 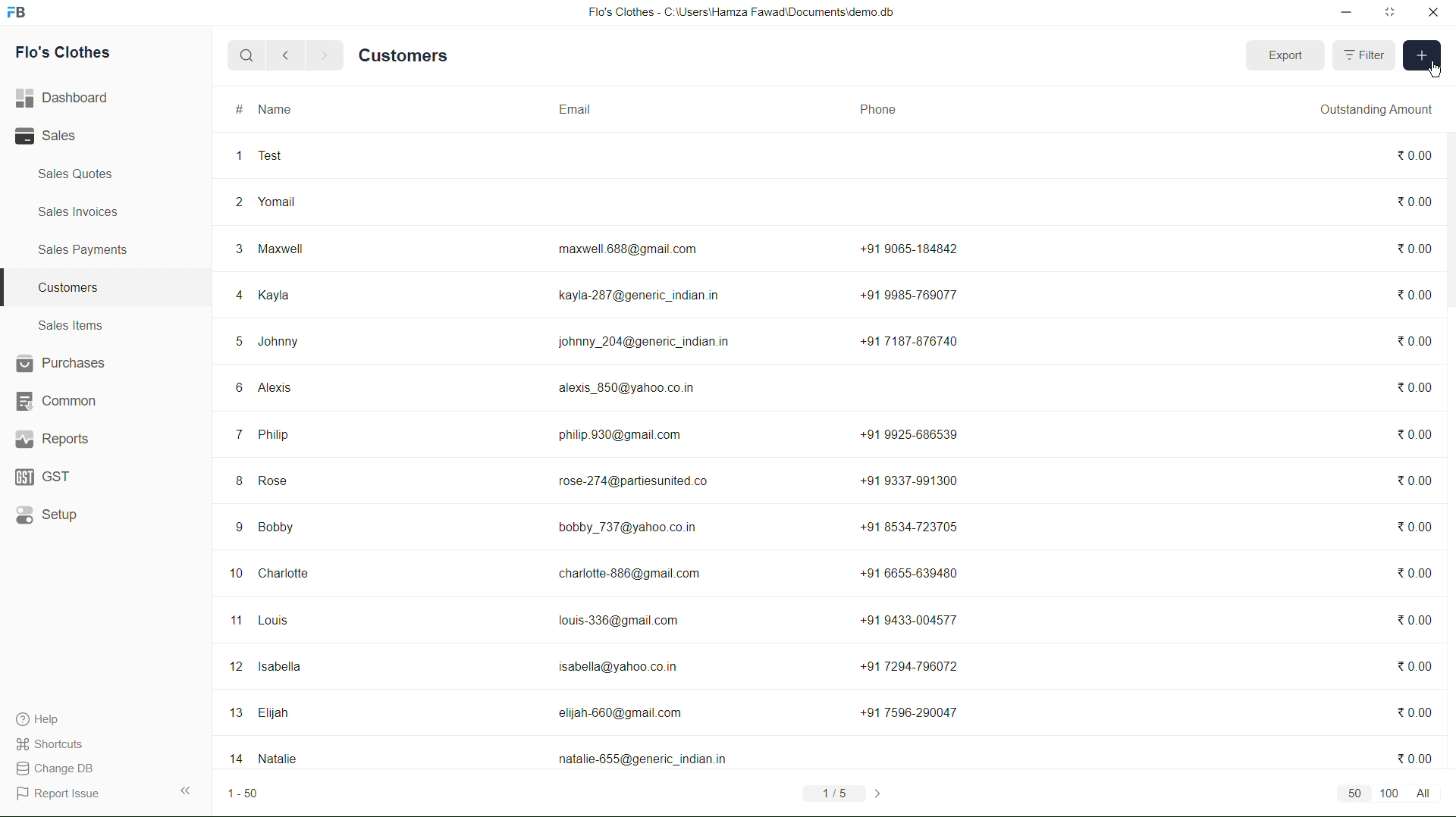 What do you see at coordinates (277, 528) in the screenshot?
I see `Bobby` at bounding box center [277, 528].